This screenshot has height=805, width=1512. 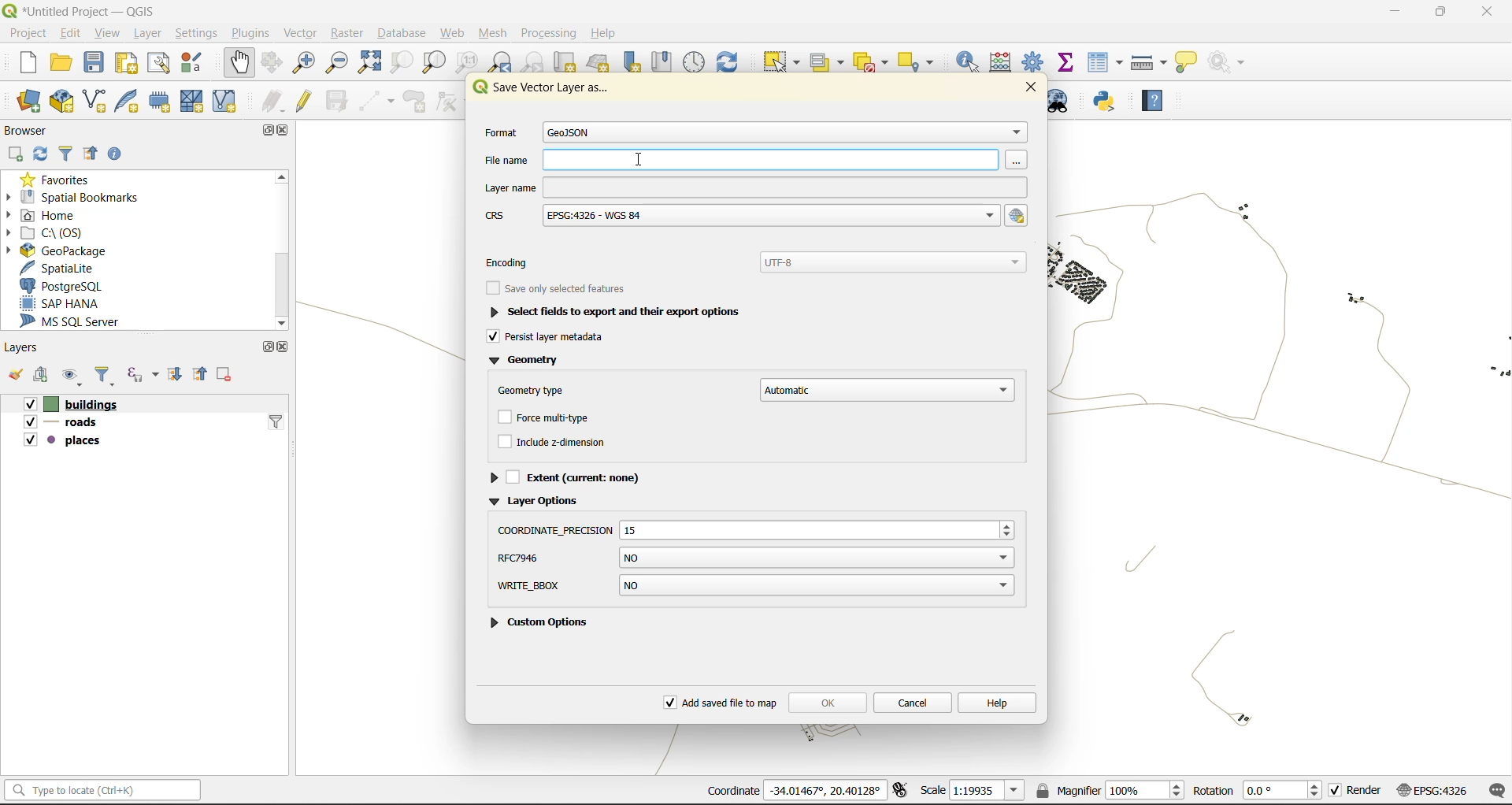 What do you see at coordinates (754, 187) in the screenshot?
I see `layer name` at bounding box center [754, 187].